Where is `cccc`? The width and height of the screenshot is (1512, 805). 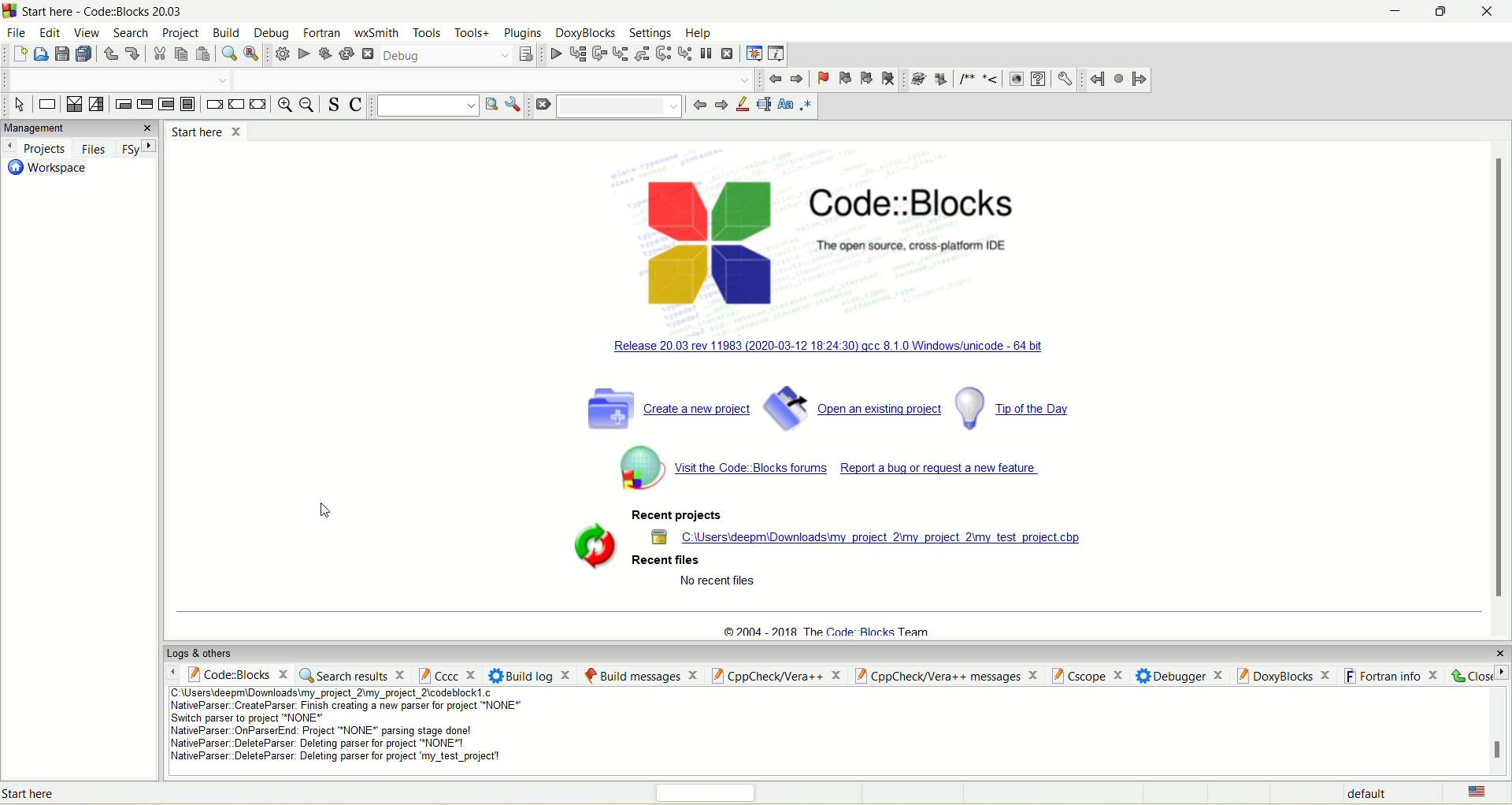
cccc is located at coordinates (456, 676).